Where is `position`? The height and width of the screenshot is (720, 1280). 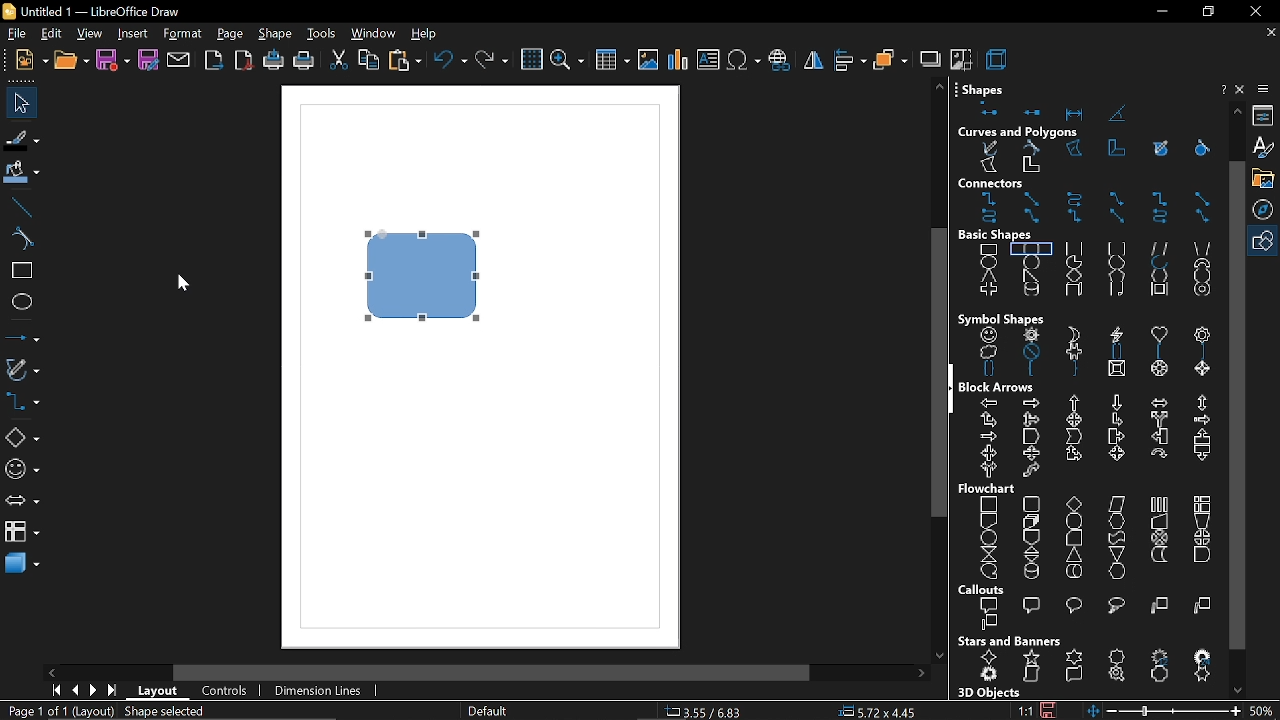 position is located at coordinates (877, 712).